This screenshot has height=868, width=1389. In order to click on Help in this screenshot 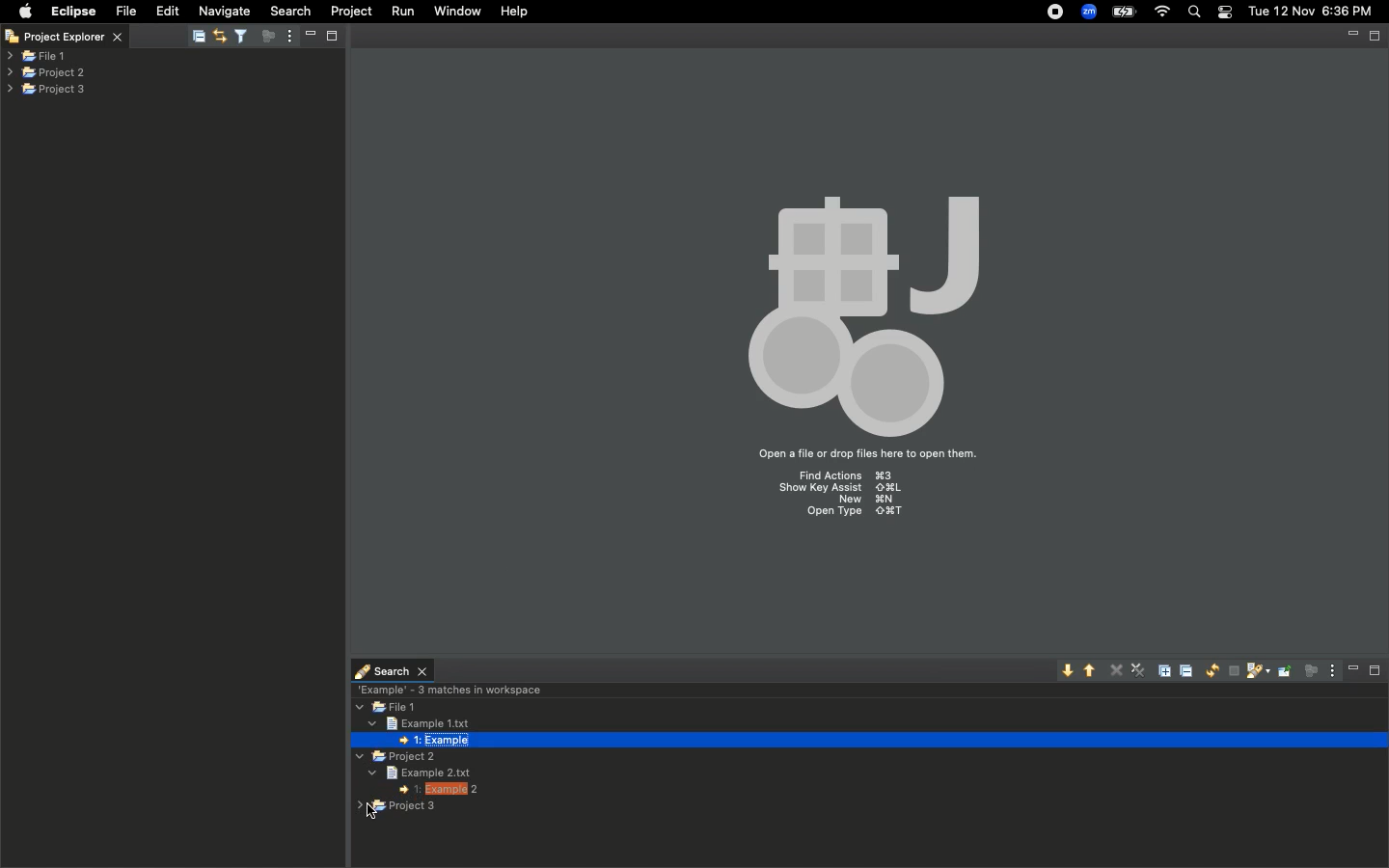, I will do `click(516, 12)`.